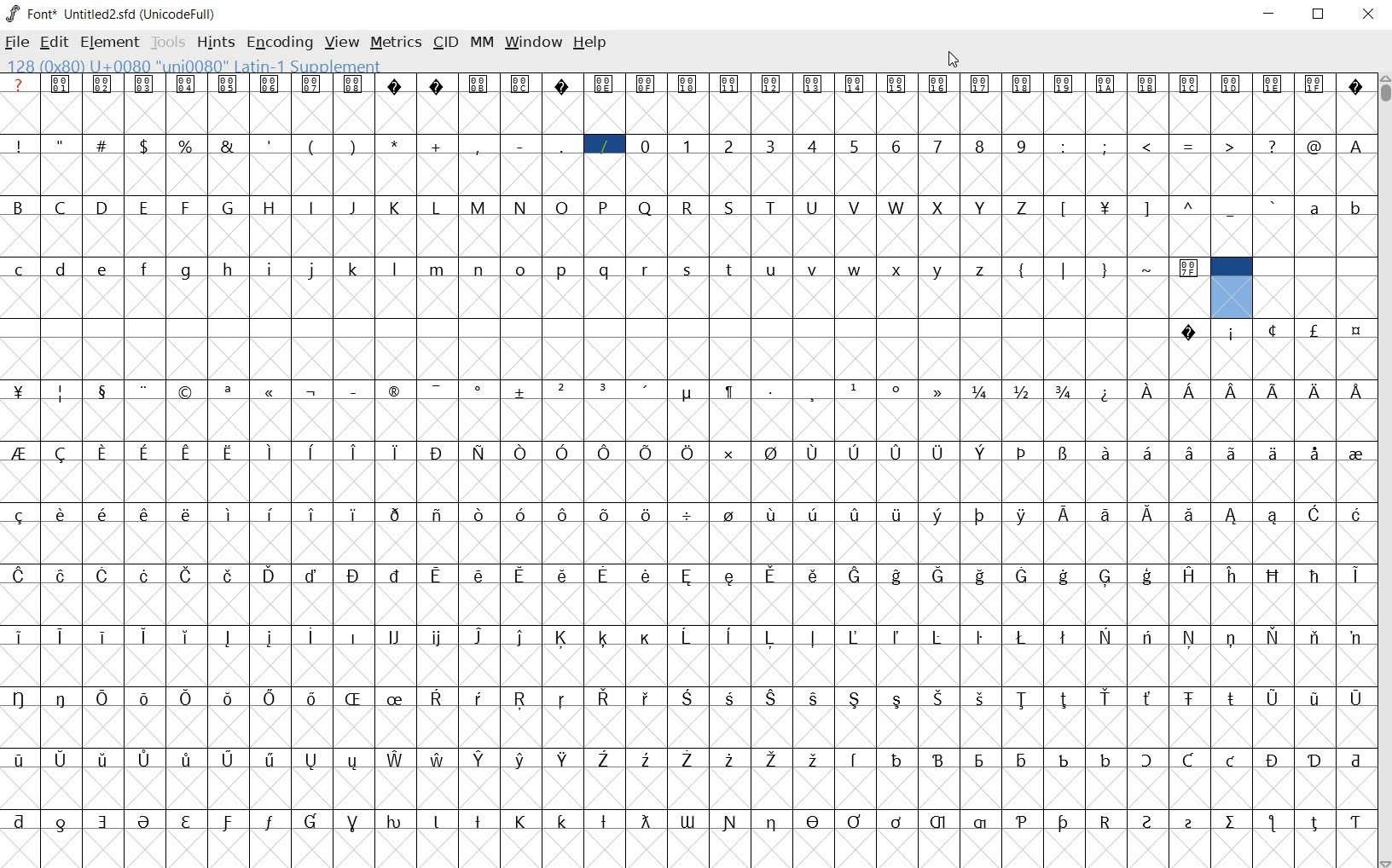 Image resolution: width=1392 pixels, height=868 pixels. I want to click on Symbol, so click(606, 698).